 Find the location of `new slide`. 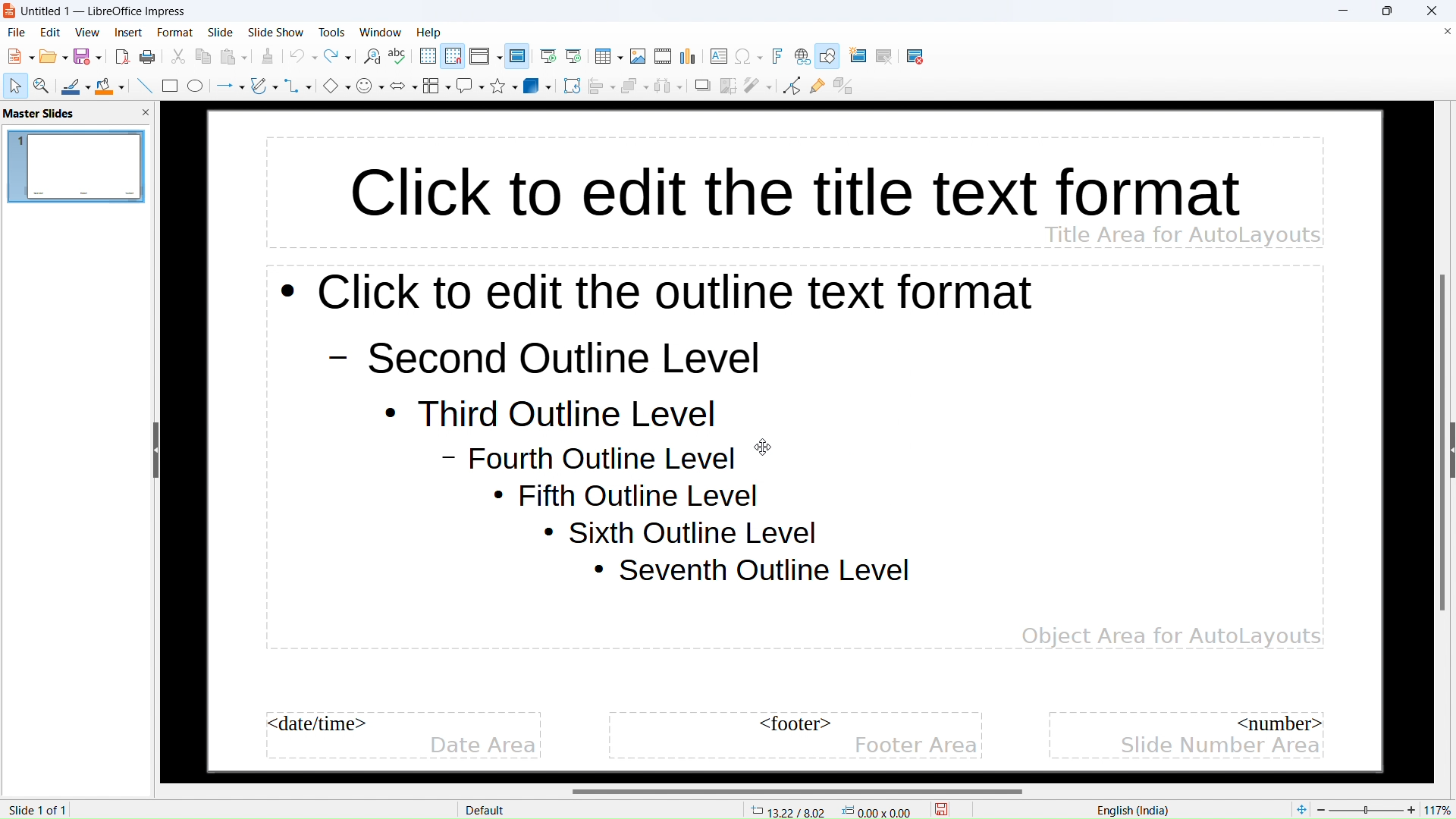

new slide is located at coordinates (861, 56).